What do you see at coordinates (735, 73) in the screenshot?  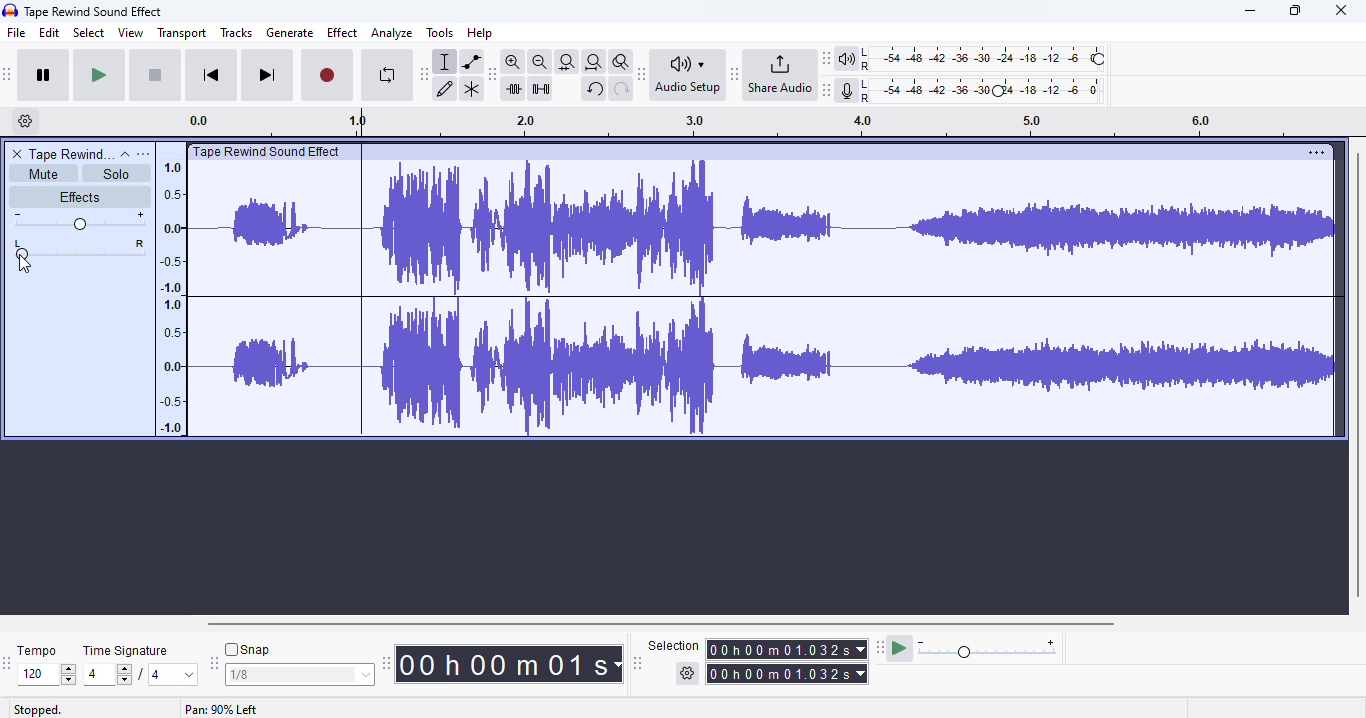 I see `audacity share audio toolbar` at bounding box center [735, 73].